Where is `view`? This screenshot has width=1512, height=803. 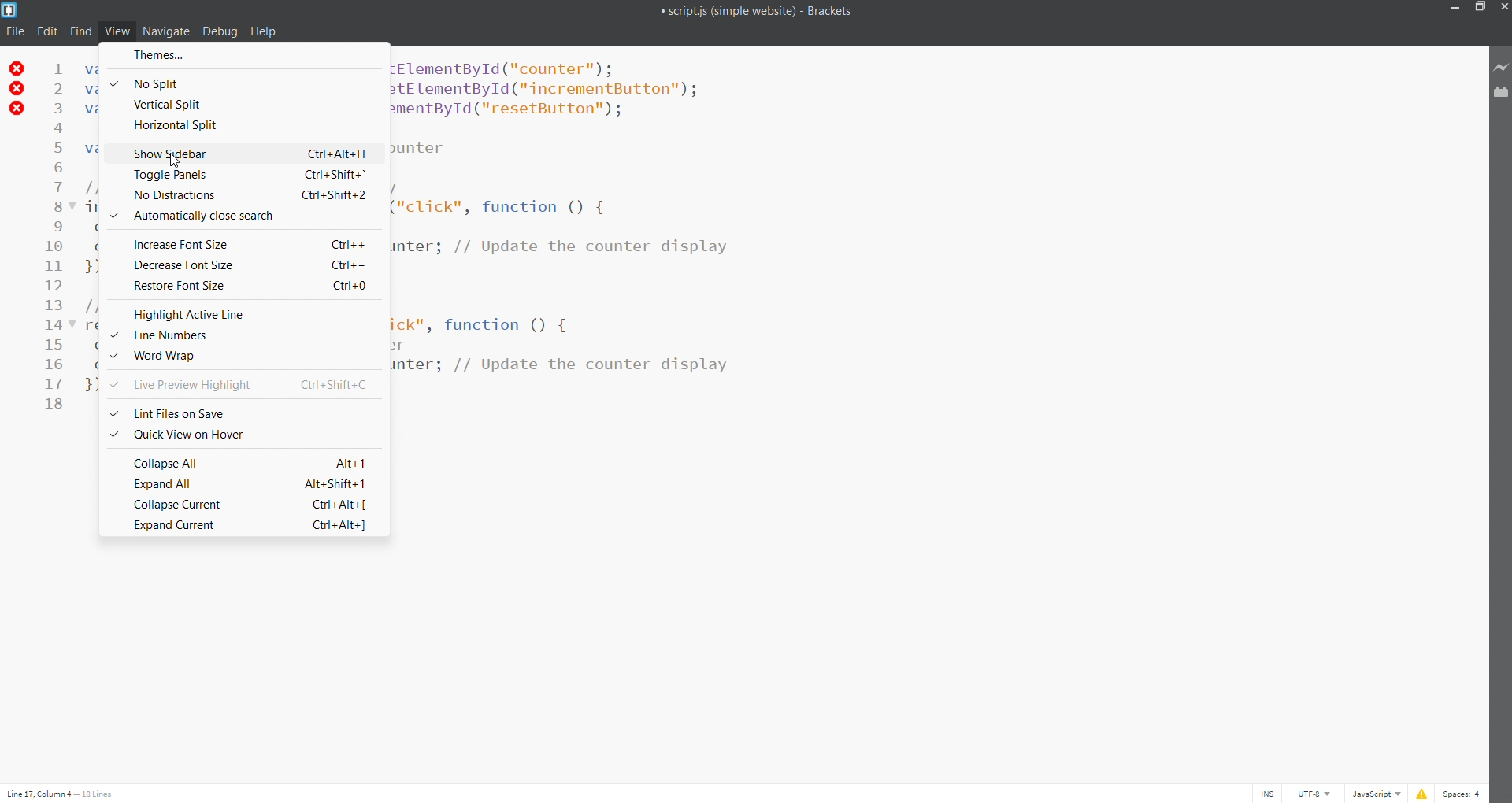 view is located at coordinates (118, 31).